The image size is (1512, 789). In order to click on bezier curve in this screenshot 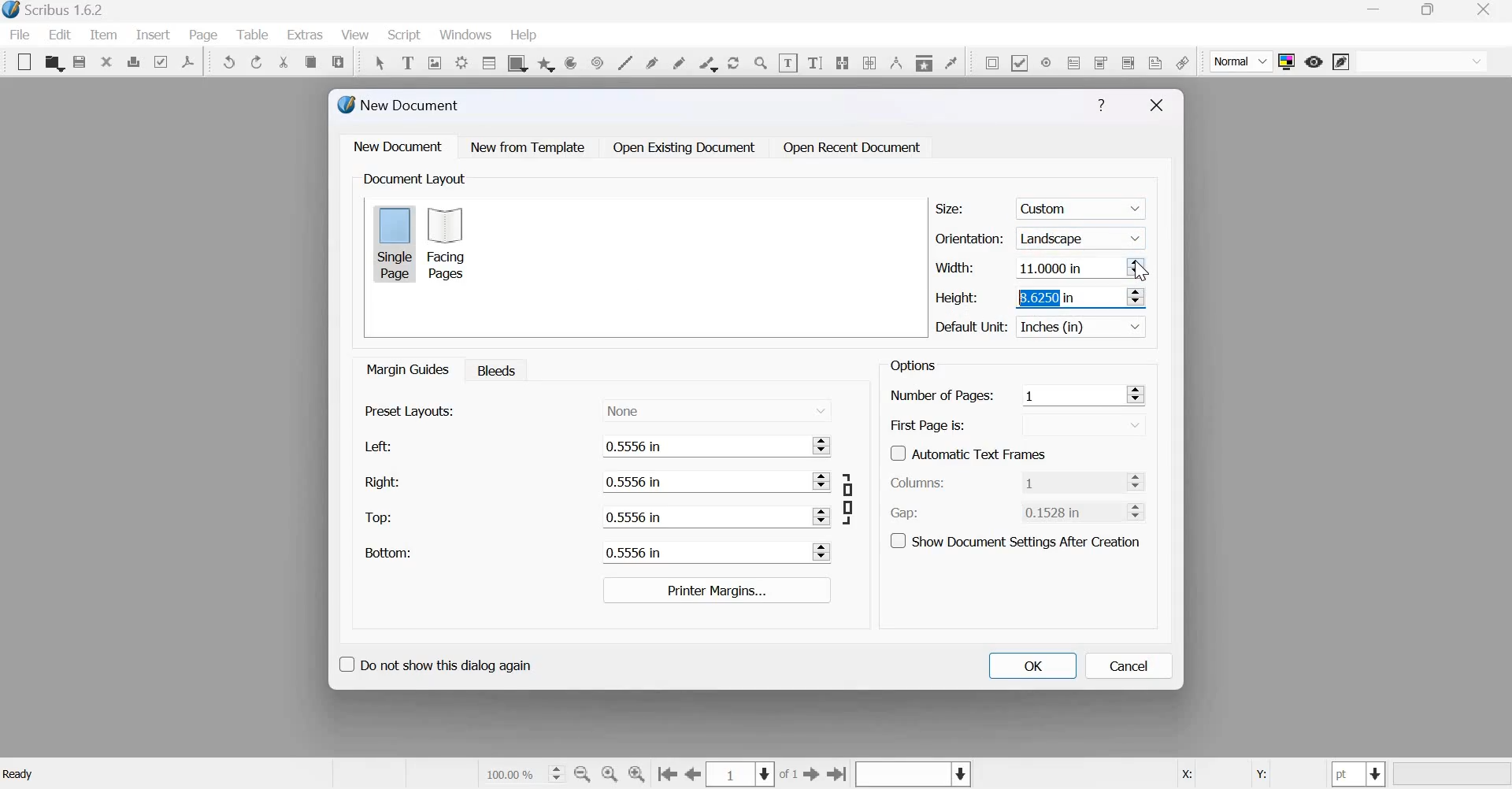, I will do `click(654, 61)`.